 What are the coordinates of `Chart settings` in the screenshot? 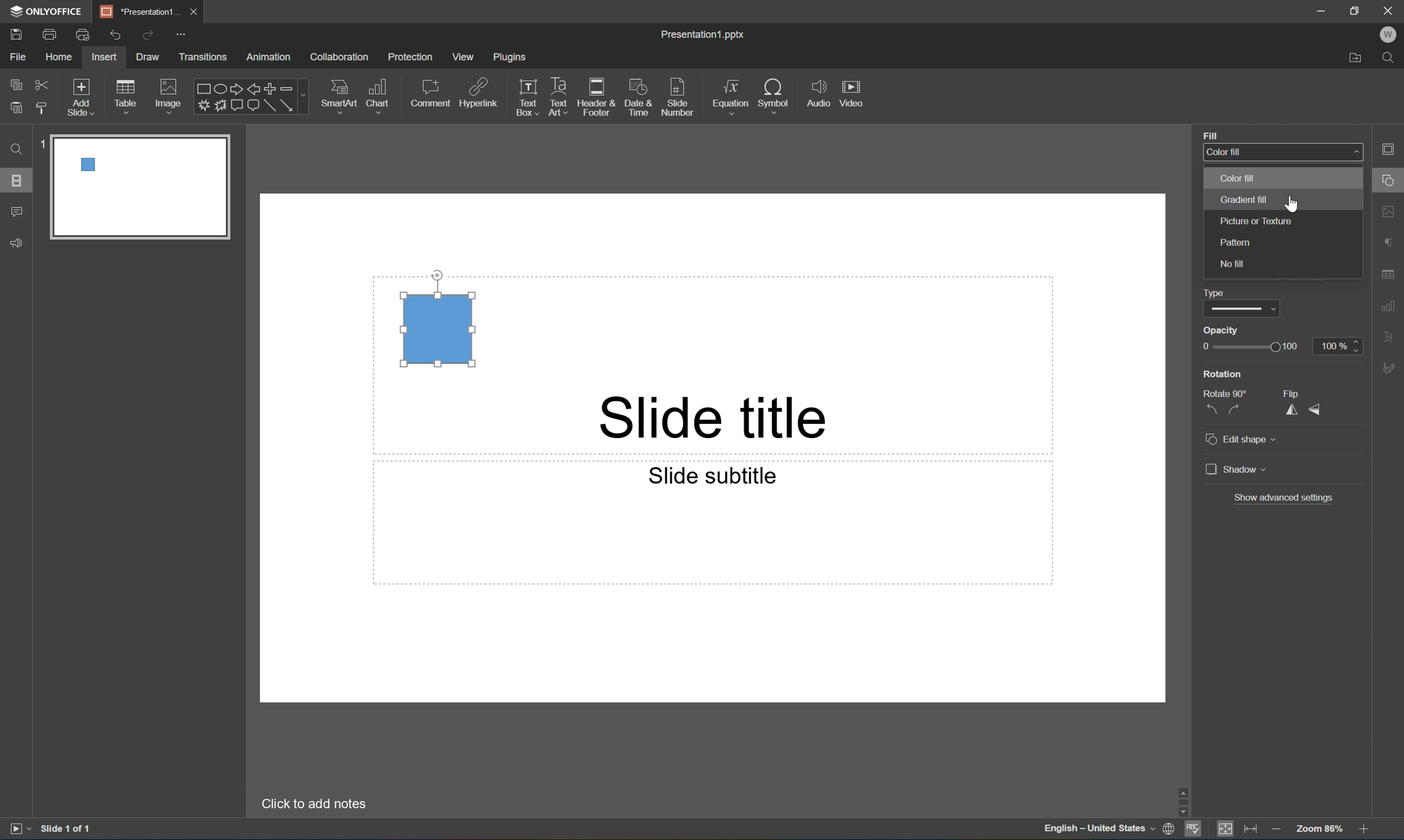 It's located at (1391, 306).